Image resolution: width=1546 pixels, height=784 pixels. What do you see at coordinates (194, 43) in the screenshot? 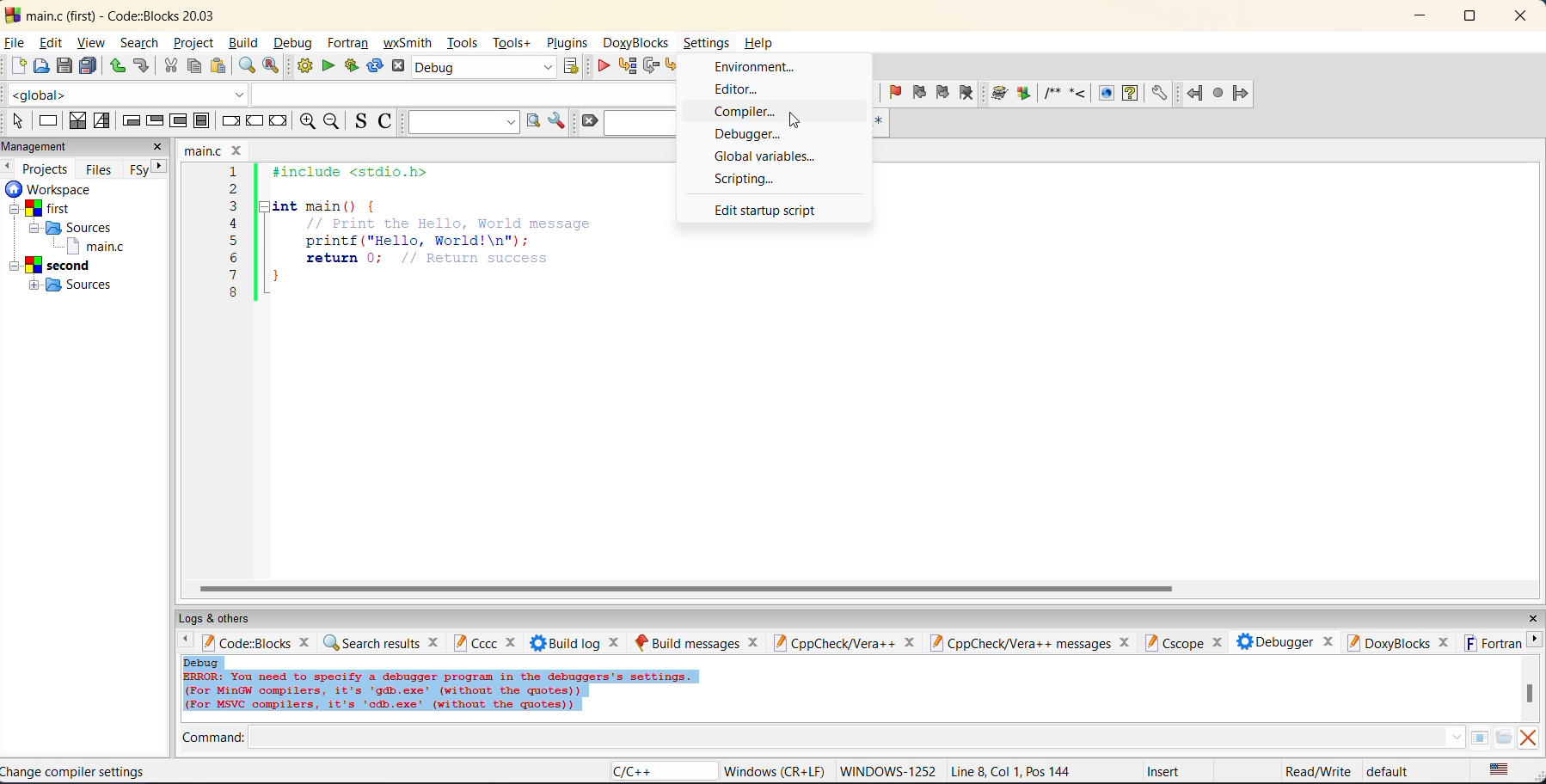
I see `project` at bounding box center [194, 43].